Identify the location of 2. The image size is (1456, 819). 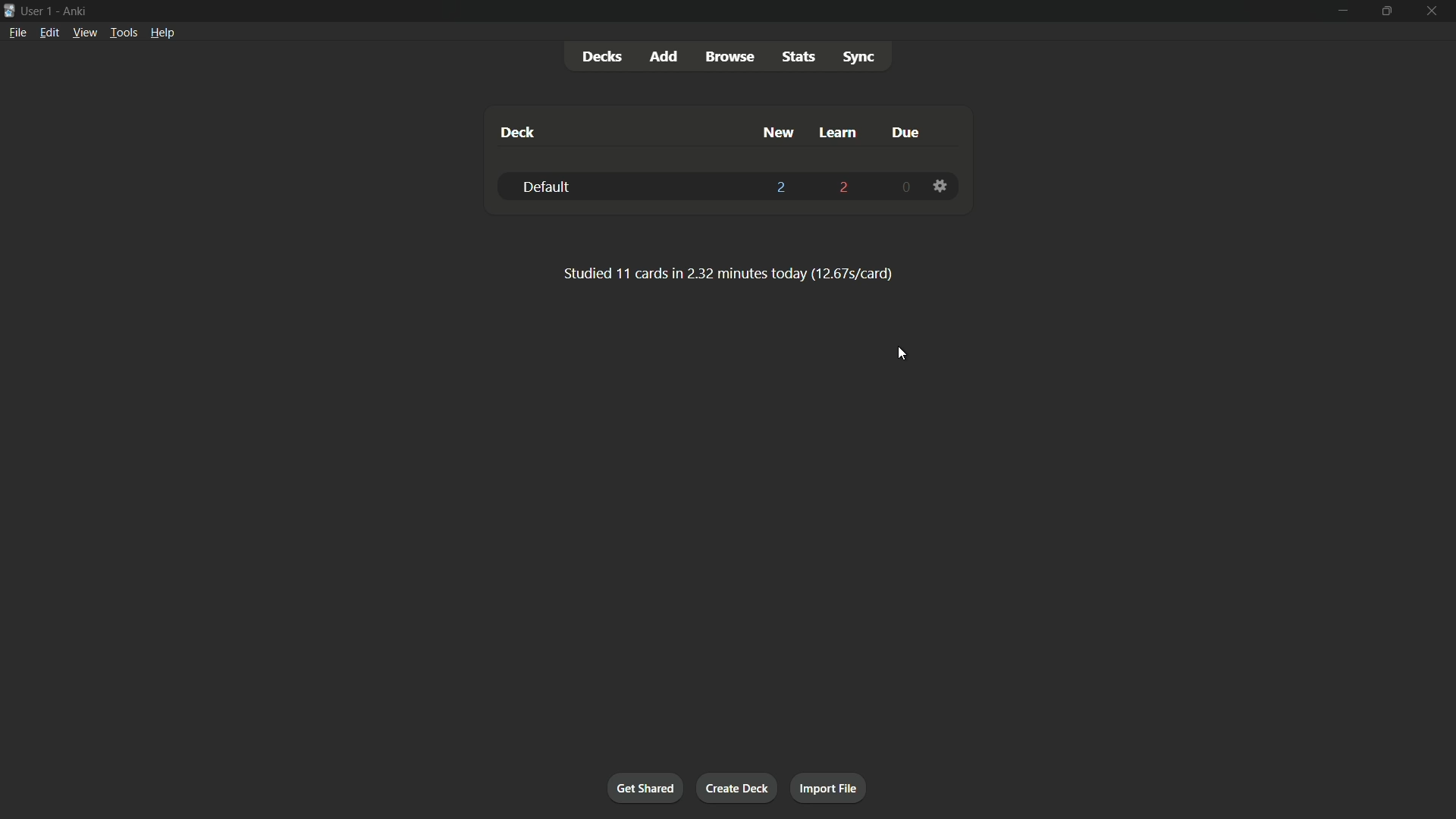
(841, 188).